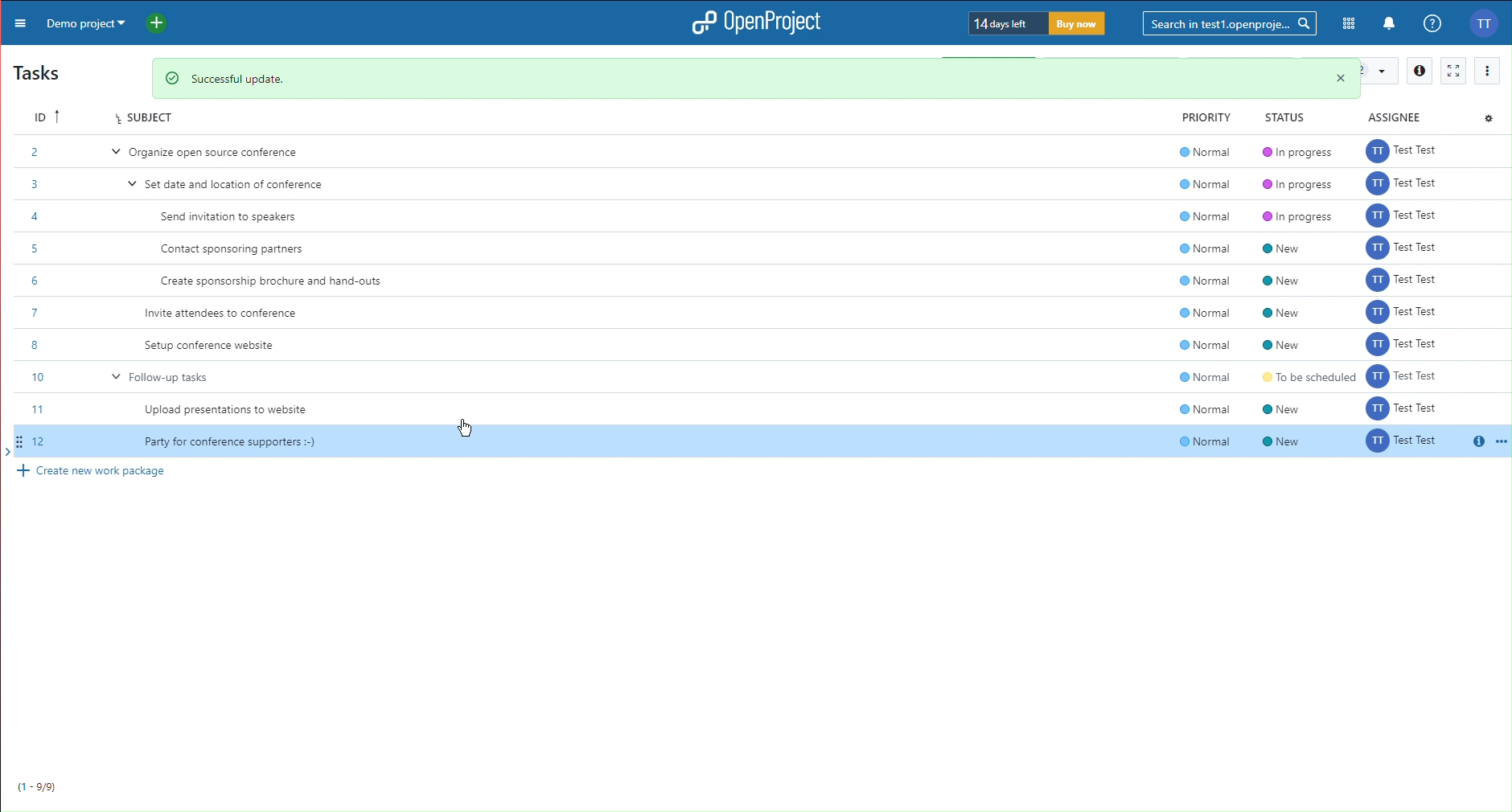 The image size is (1512, 812). What do you see at coordinates (235, 248) in the screenshot?
I see `Contact sponsoring partners.` at bounding box center [235, 248].